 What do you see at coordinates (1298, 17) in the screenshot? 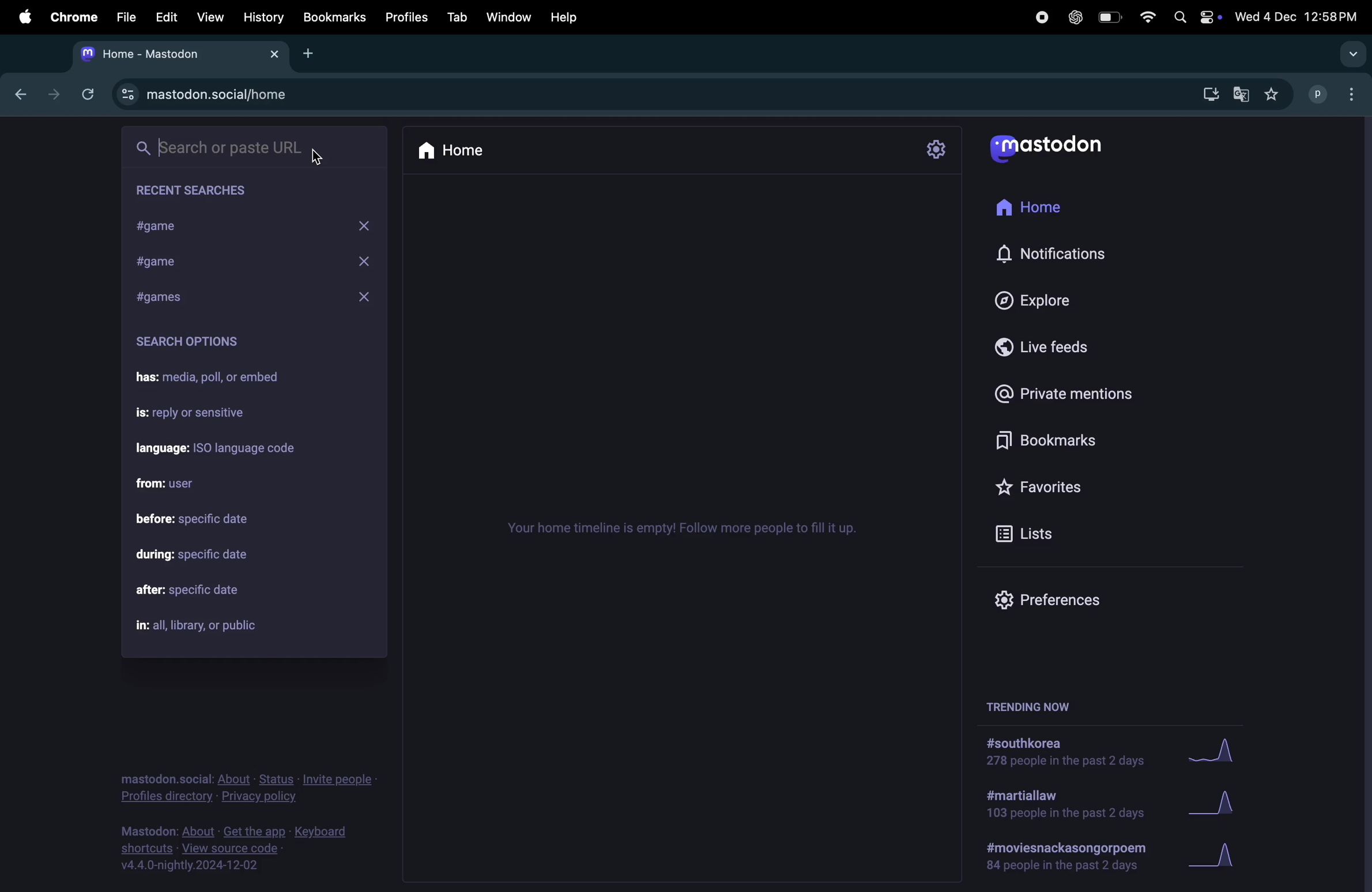
I see `date and time` at bounding box center [1298, 17].